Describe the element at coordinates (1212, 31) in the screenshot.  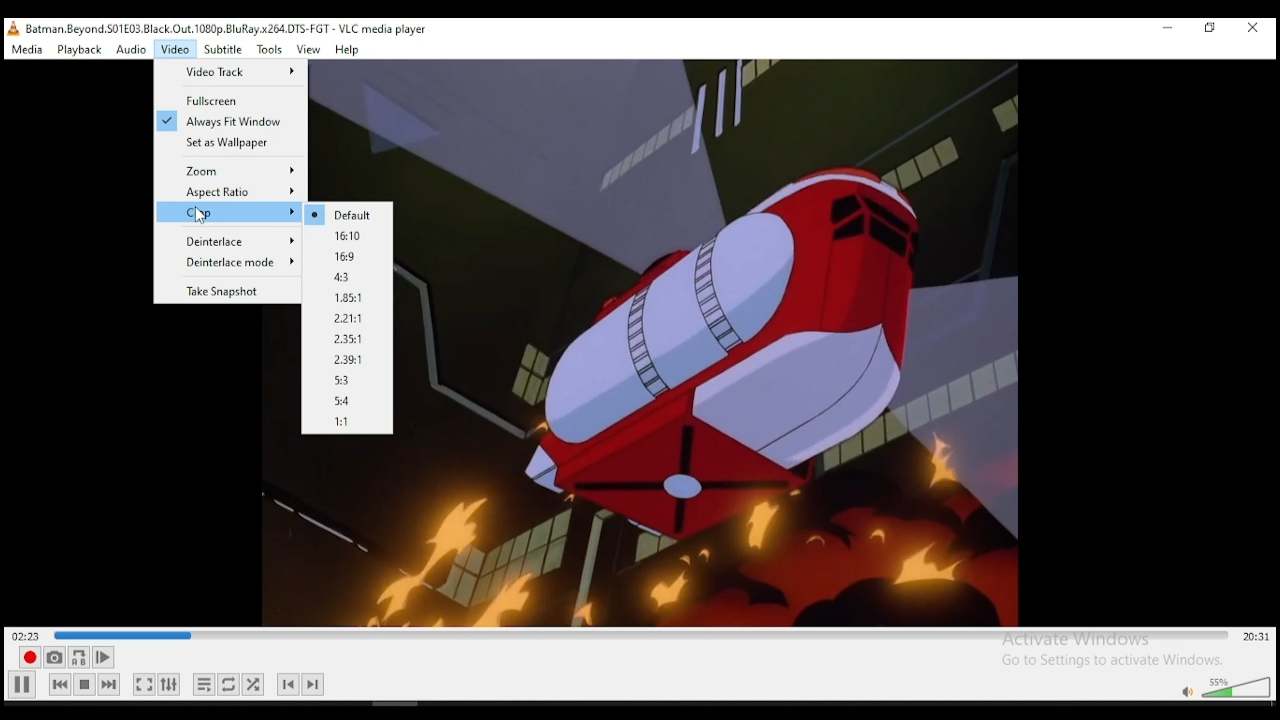
I see `restore` at that location.